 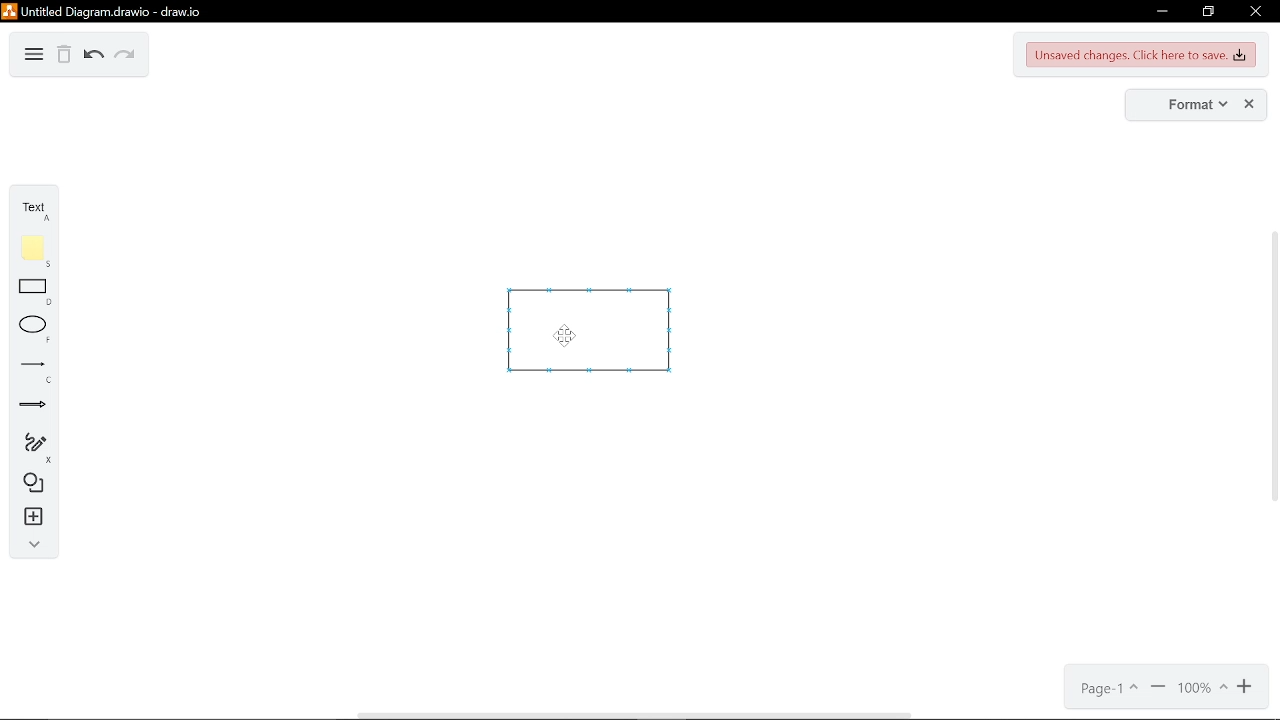 I want to click on freehand, so click(x=35, y=448).